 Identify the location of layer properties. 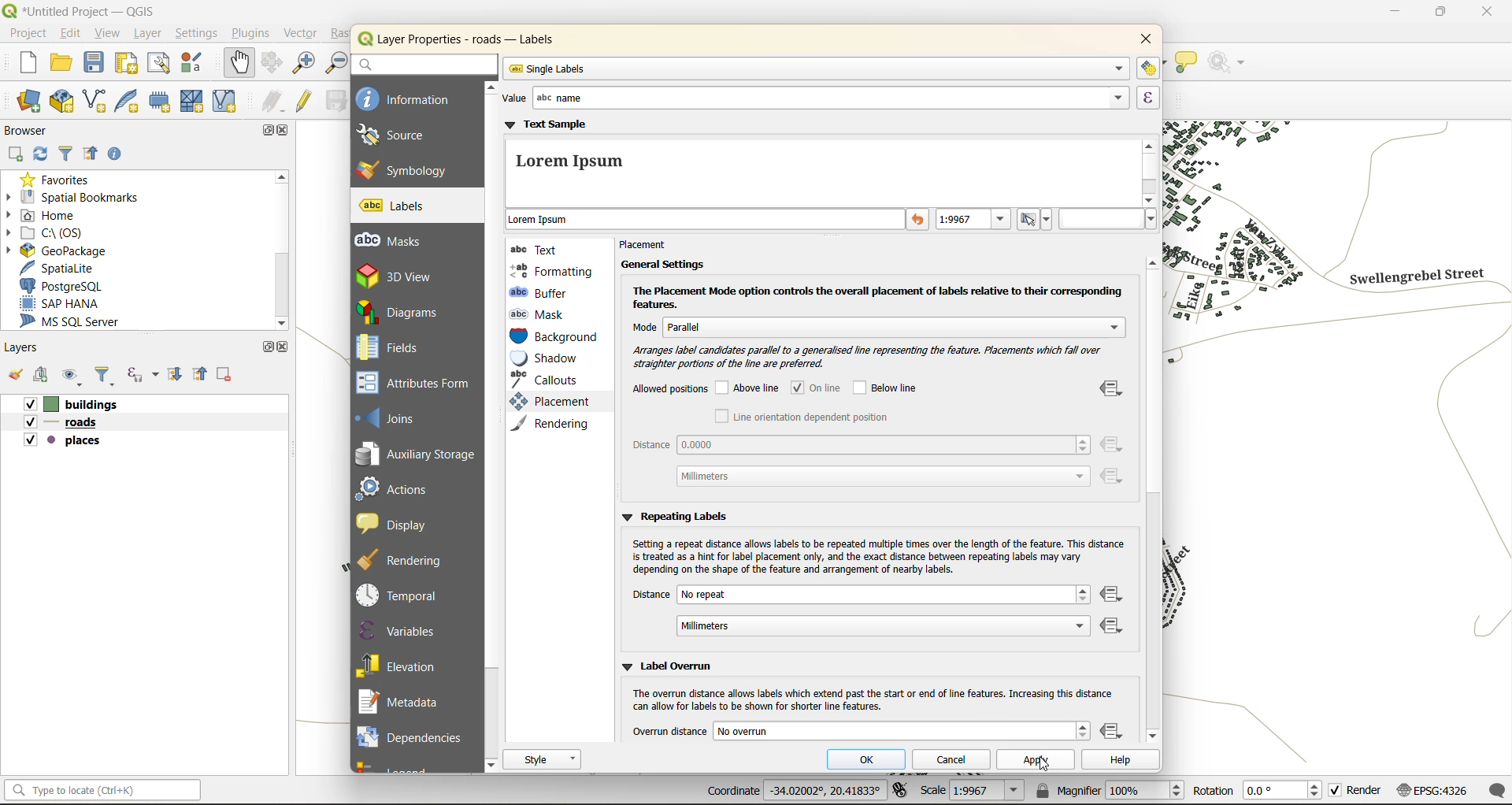
(472, 39).